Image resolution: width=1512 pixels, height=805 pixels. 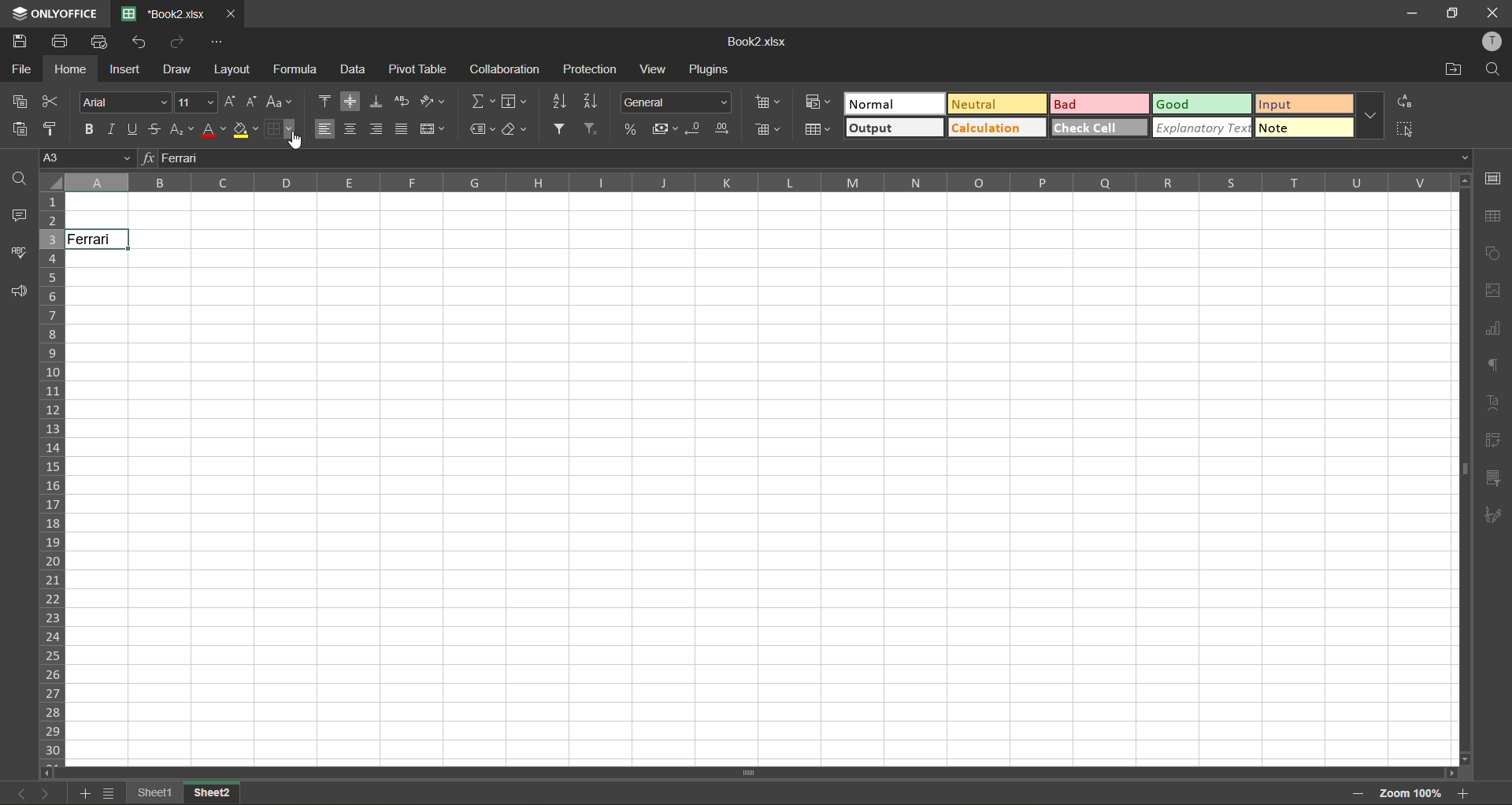 What do you see at coordinates (113, 131) in the screenshot?
I see `italic` at bounding box center [113, 131].